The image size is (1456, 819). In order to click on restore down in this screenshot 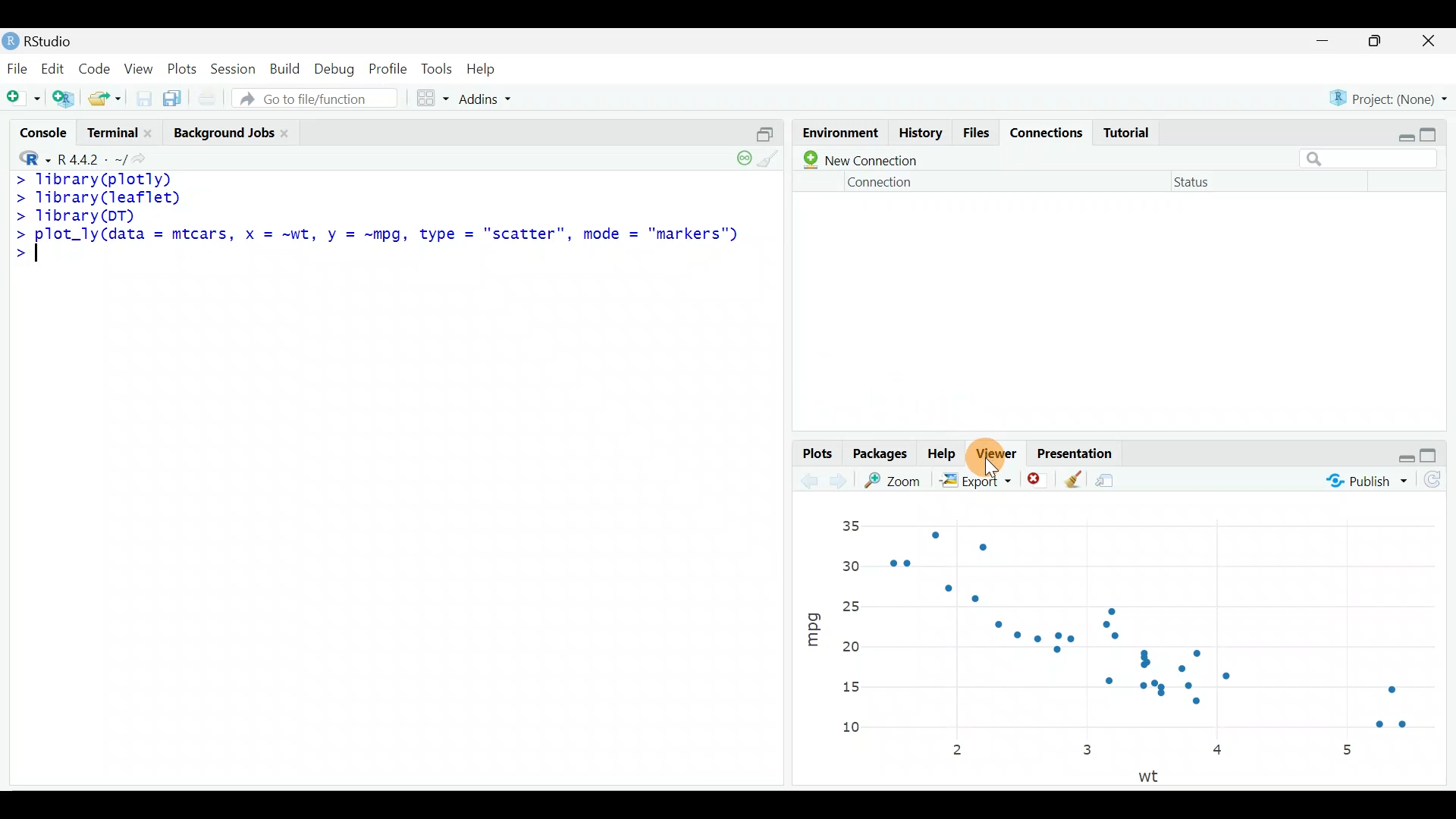, I will do `click(1401, 129)`.